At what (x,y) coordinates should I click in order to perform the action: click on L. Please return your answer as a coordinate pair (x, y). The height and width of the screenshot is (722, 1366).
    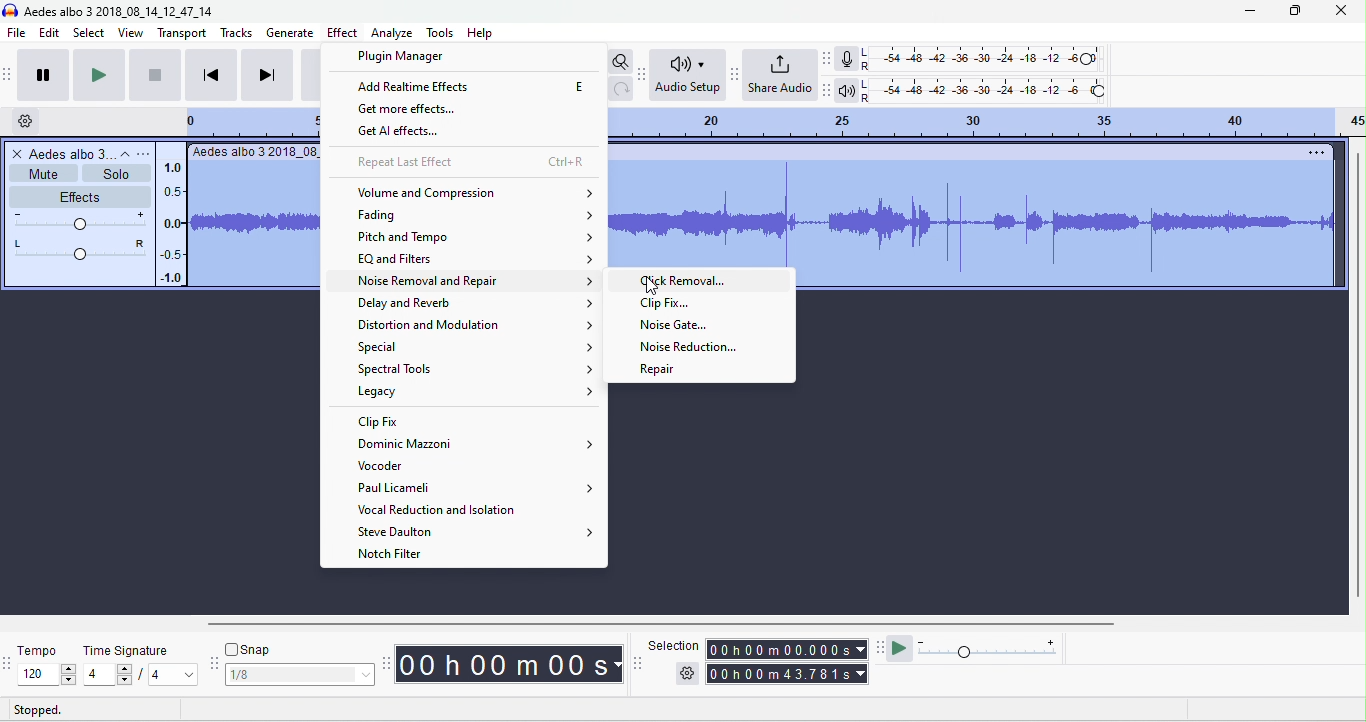
    Looking at the image, I should click on (866, 52).